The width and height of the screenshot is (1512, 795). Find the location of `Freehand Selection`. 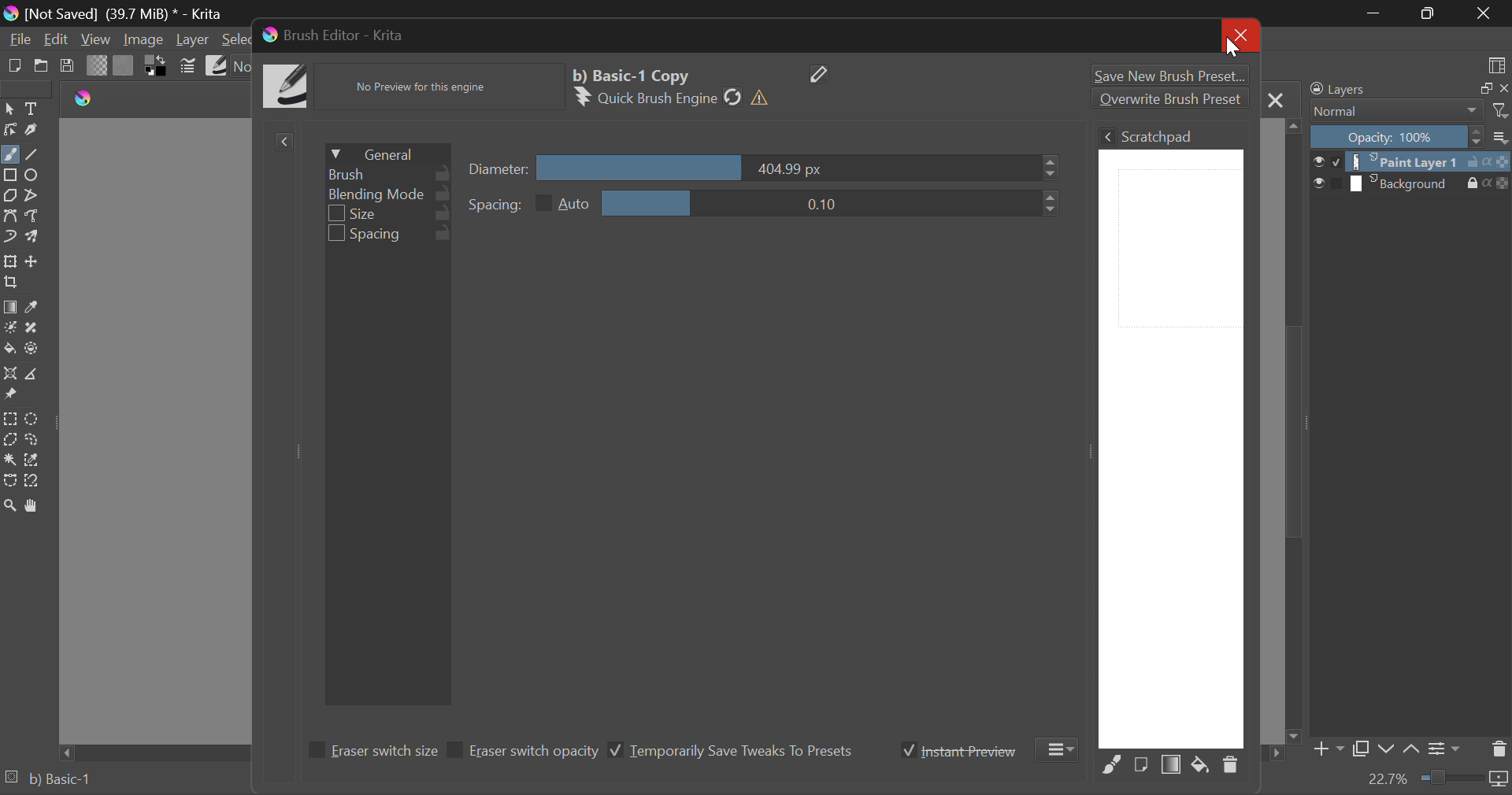

Freehand Selection is located at coordinates (31, 441).